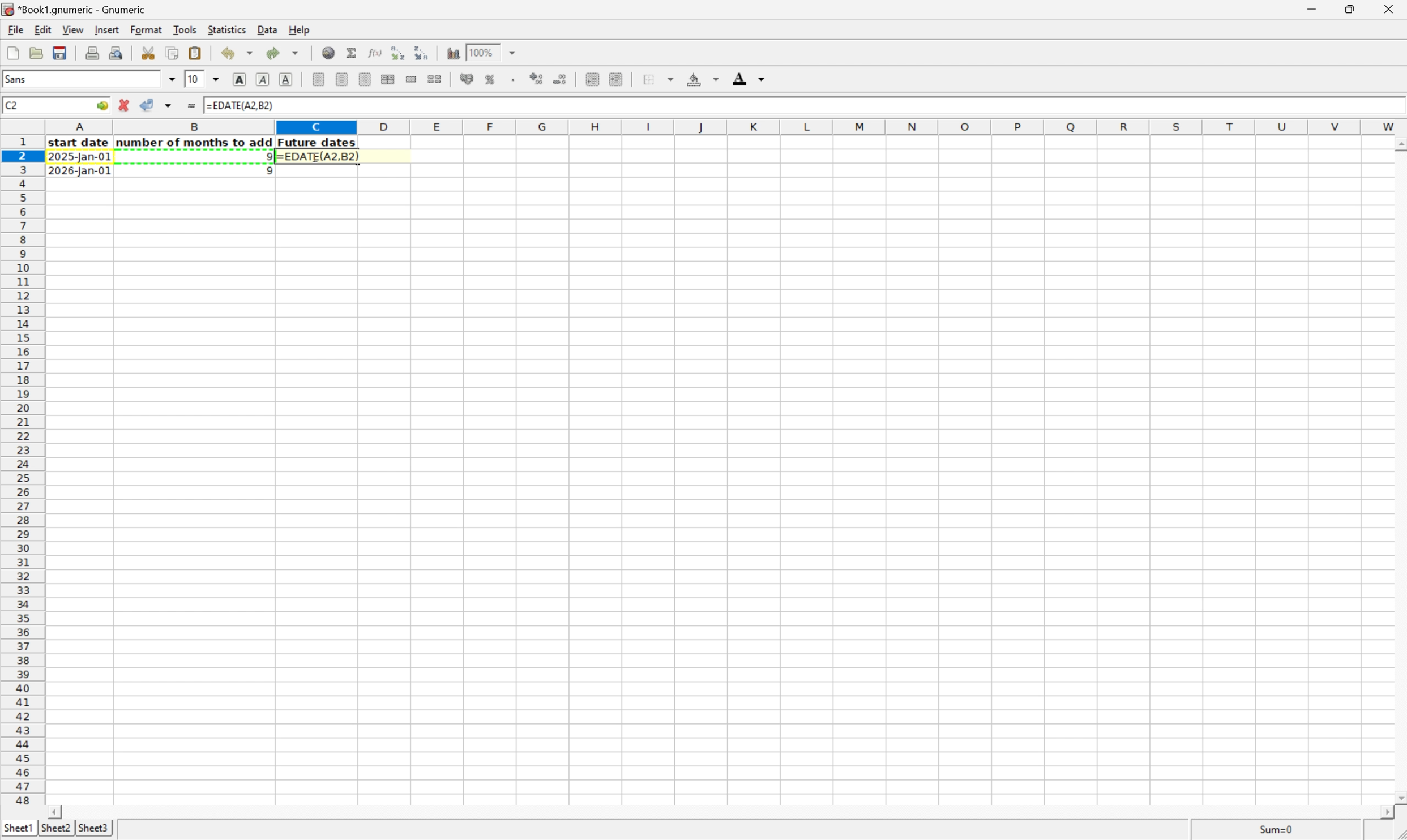 The image size is (1407, 840). I want to click on Redo, so click(281, 52).